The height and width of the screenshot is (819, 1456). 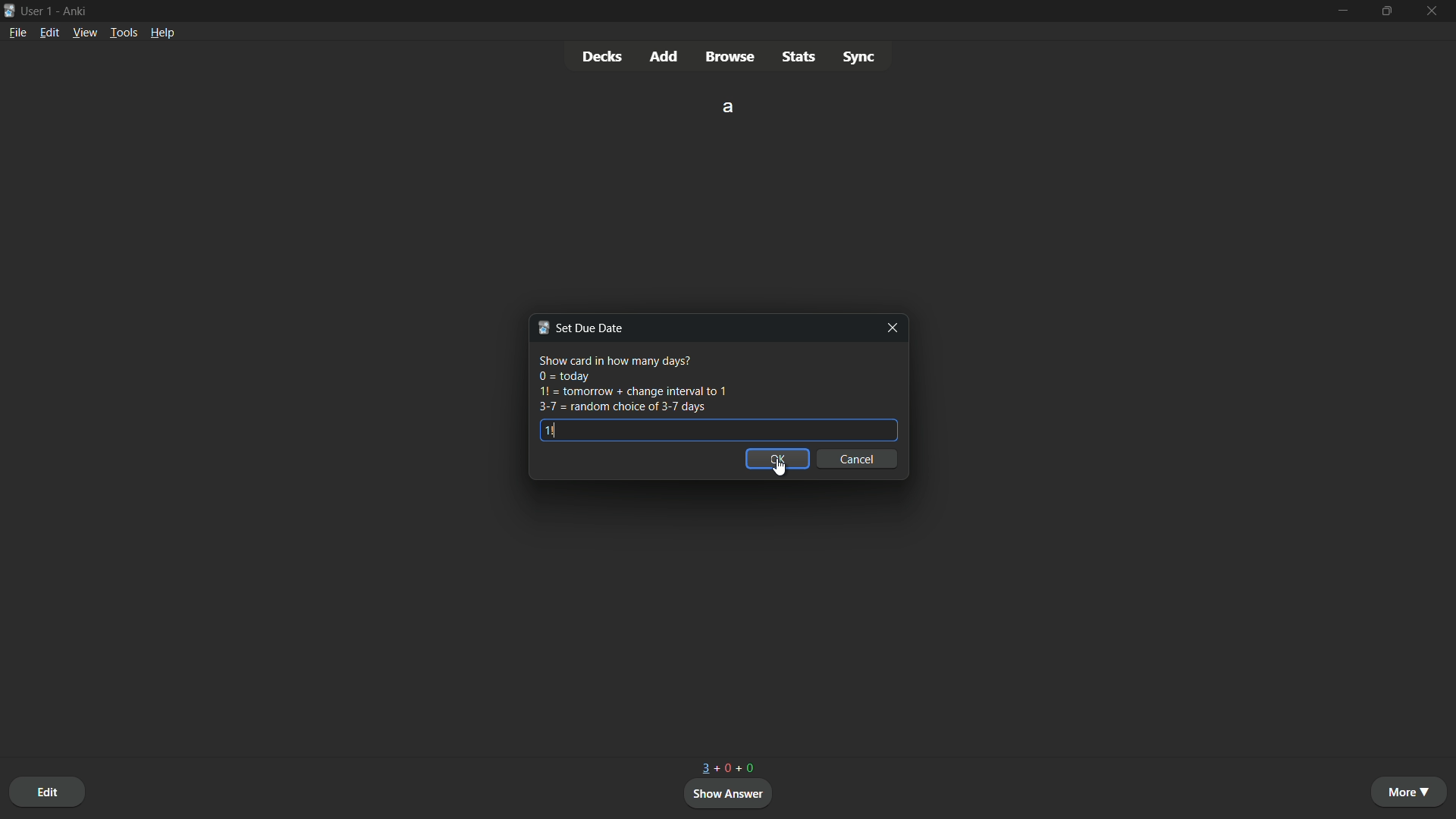 What do you see at coordinates (124, 33) in the screenshot?
I see `tools menu` at bounding box center [124, 33].